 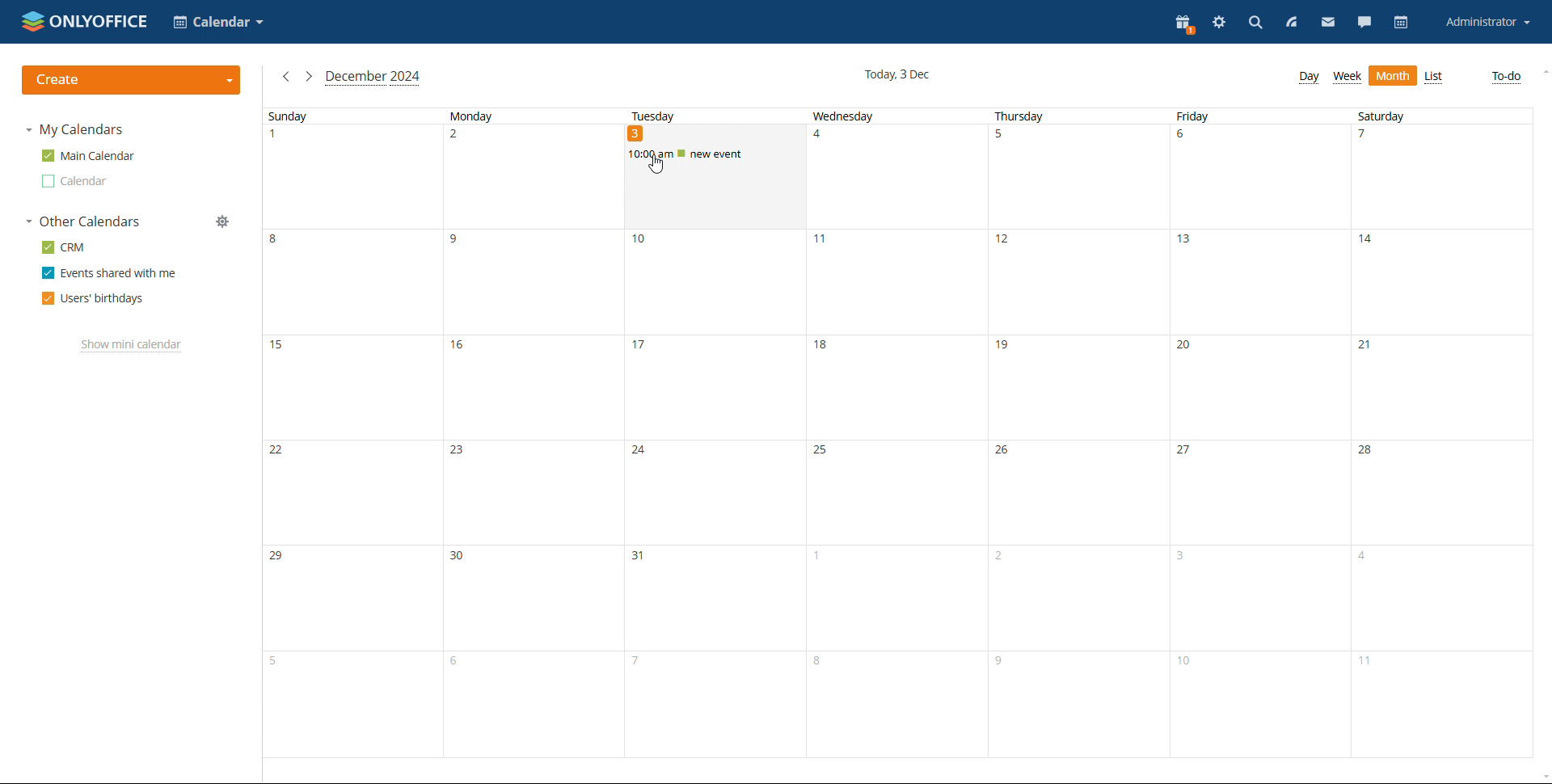 What do you see at coordinates (532, 388) in the screenshot?
I see `16` at bounding box center [532, 388].